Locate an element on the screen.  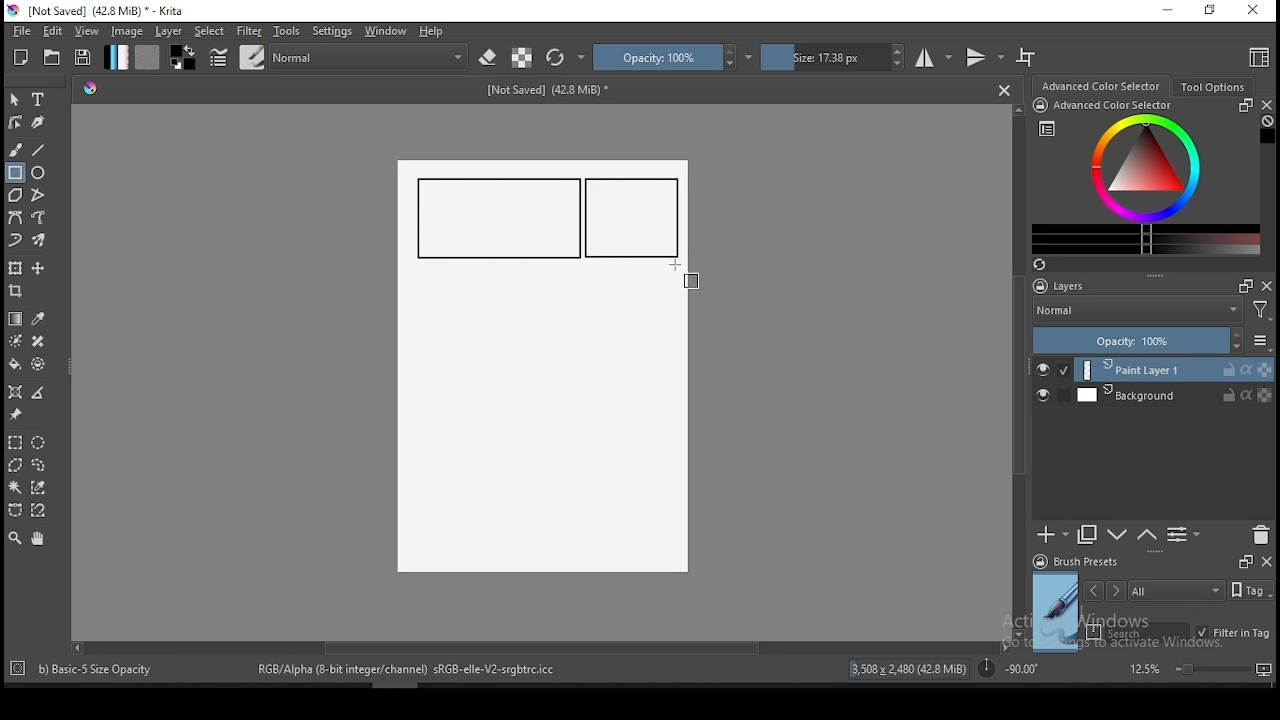
view is located at coordinates (86, 31).